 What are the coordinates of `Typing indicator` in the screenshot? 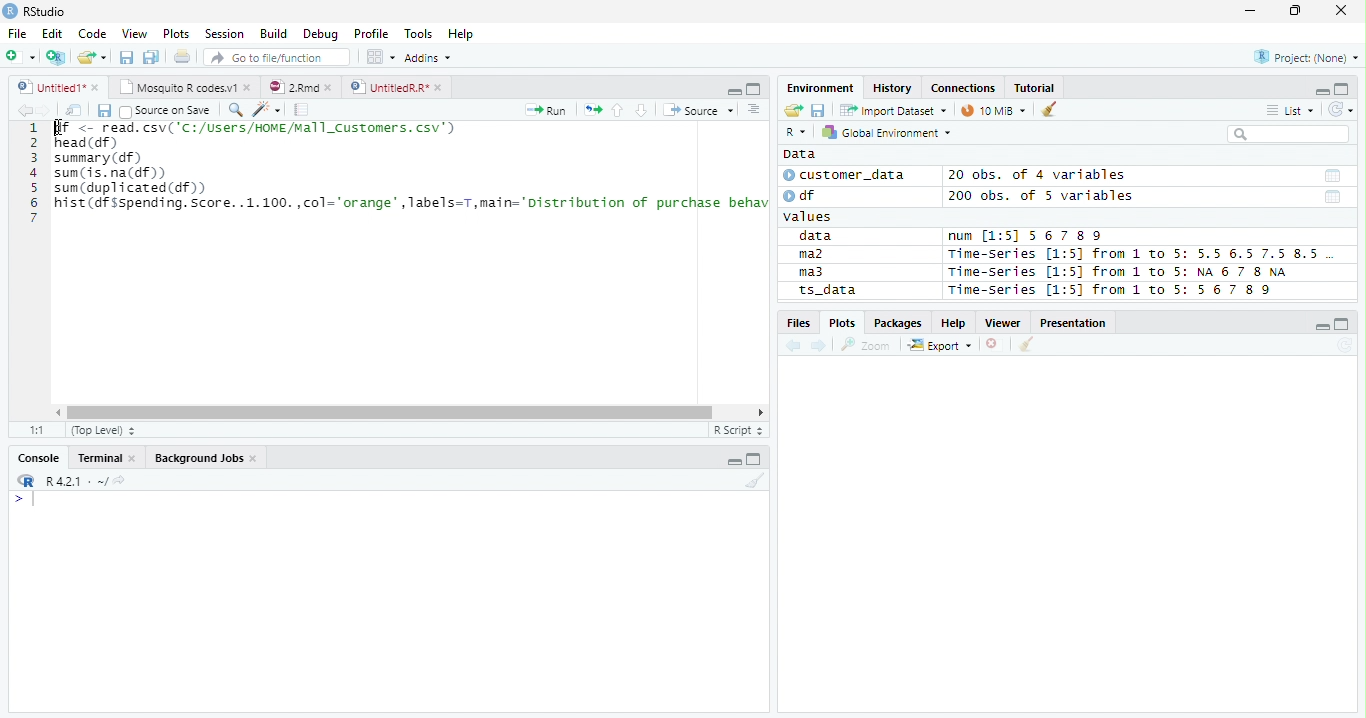 It's located at (33, 500).